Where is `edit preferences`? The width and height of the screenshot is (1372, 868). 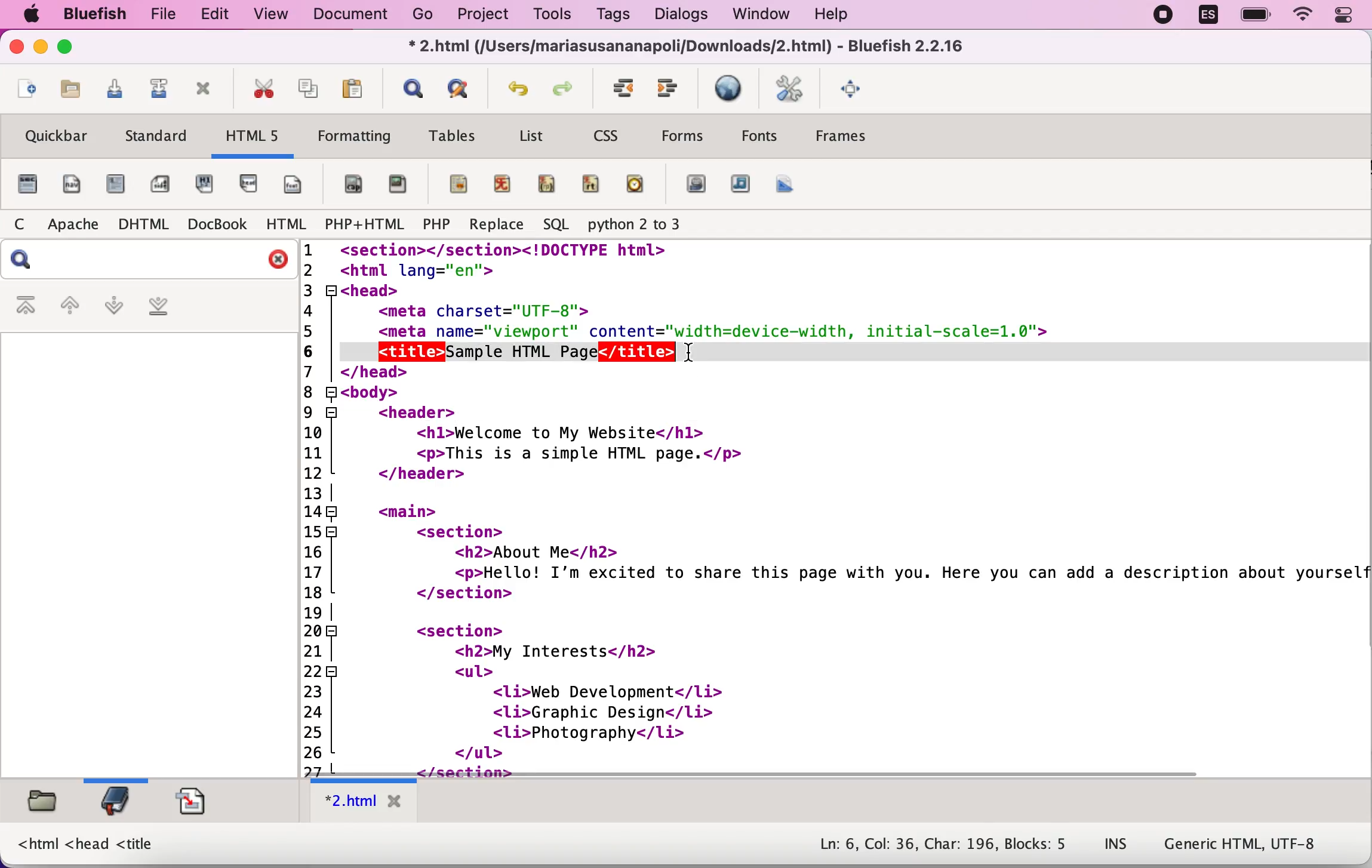
edit preferences is located at coordinates (790, 89).